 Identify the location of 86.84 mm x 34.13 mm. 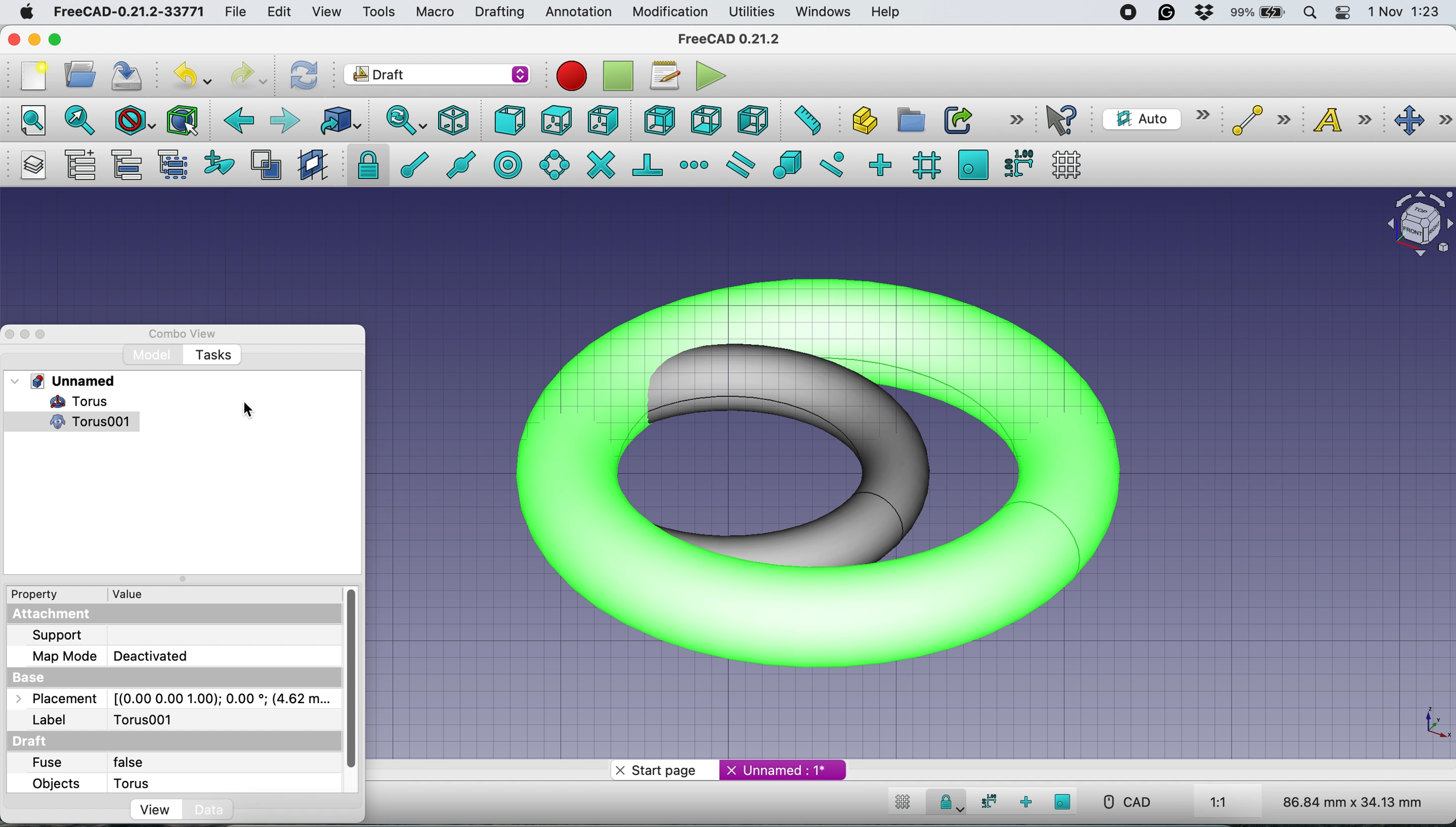
(1354, 801).